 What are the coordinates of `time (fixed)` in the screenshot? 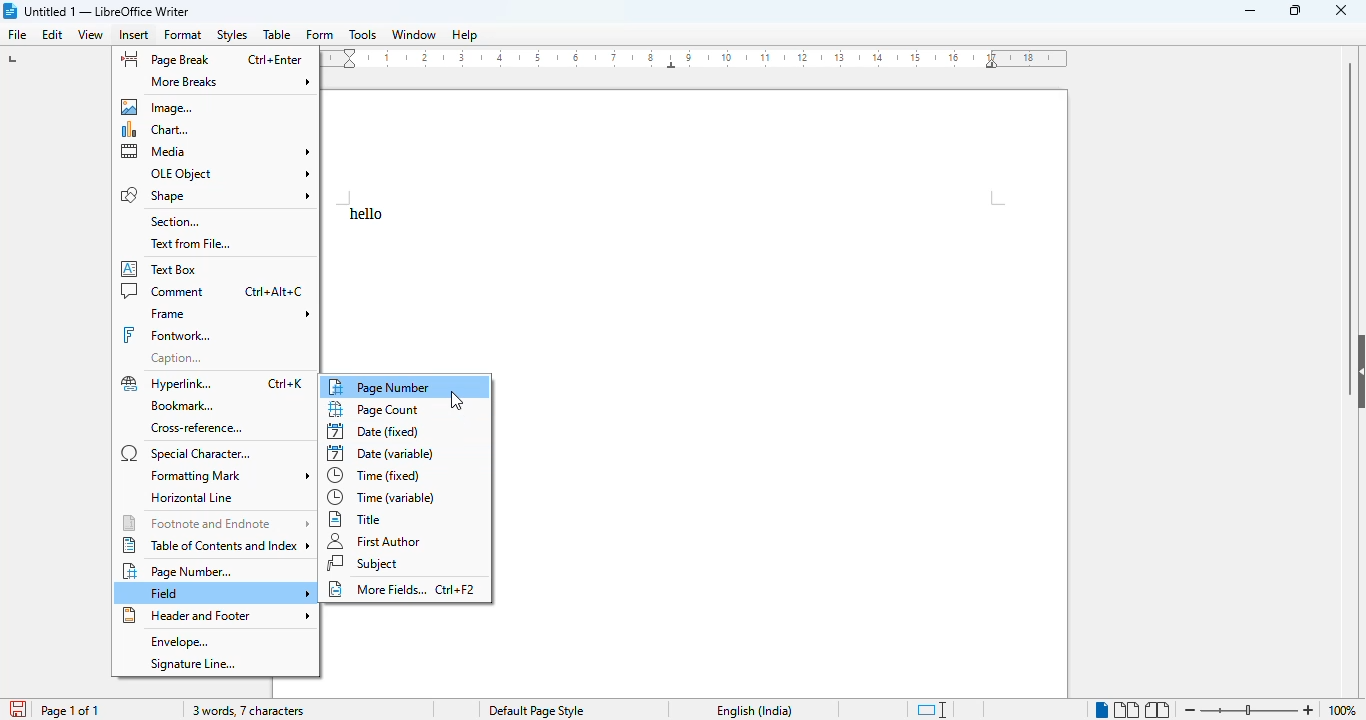 It's located at (377, 475).